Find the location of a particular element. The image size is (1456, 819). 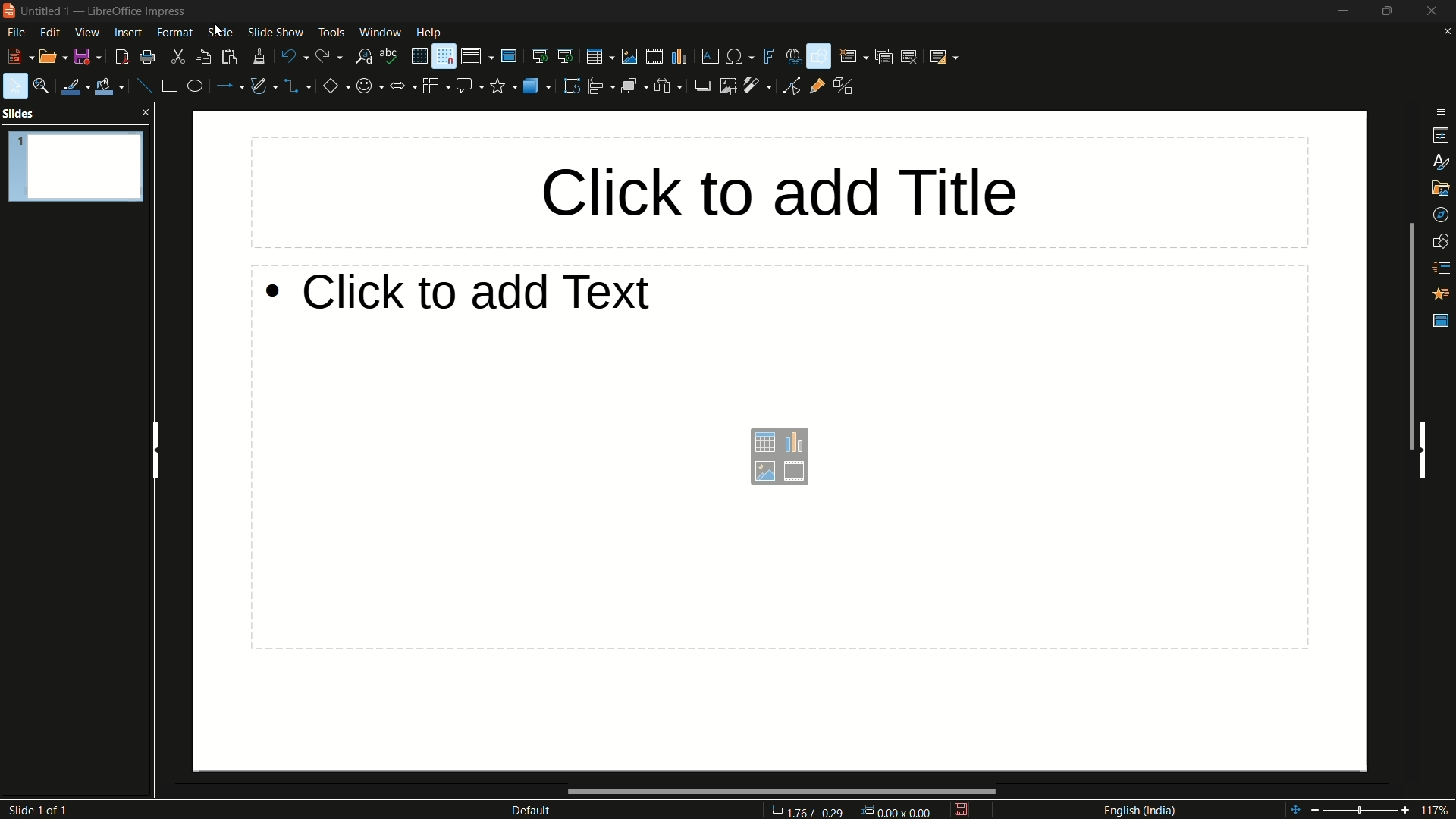

insert special characters is located at coordinates (740, 56).